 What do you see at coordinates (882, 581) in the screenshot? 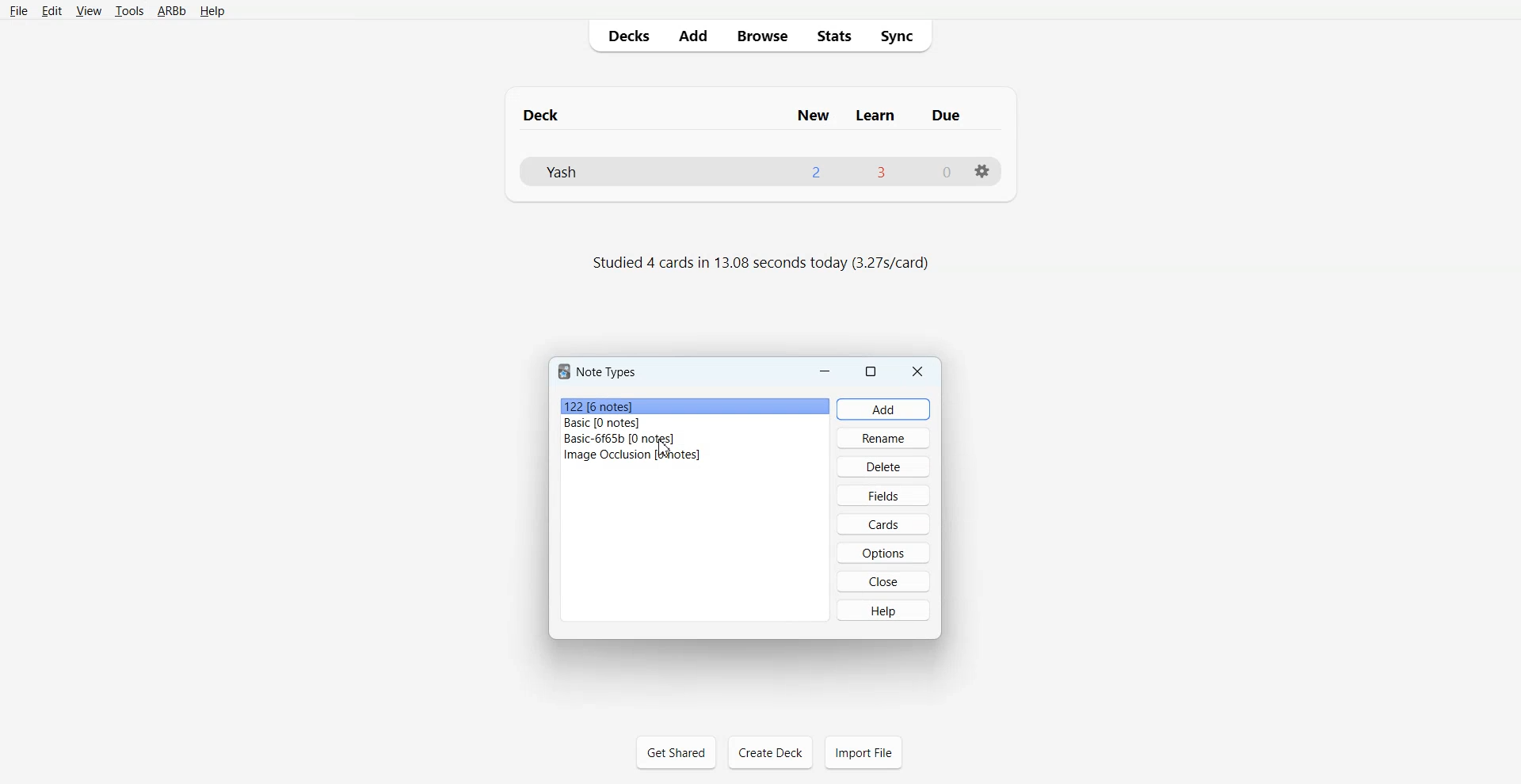
I see `Close` at bounding box center [882, 581].